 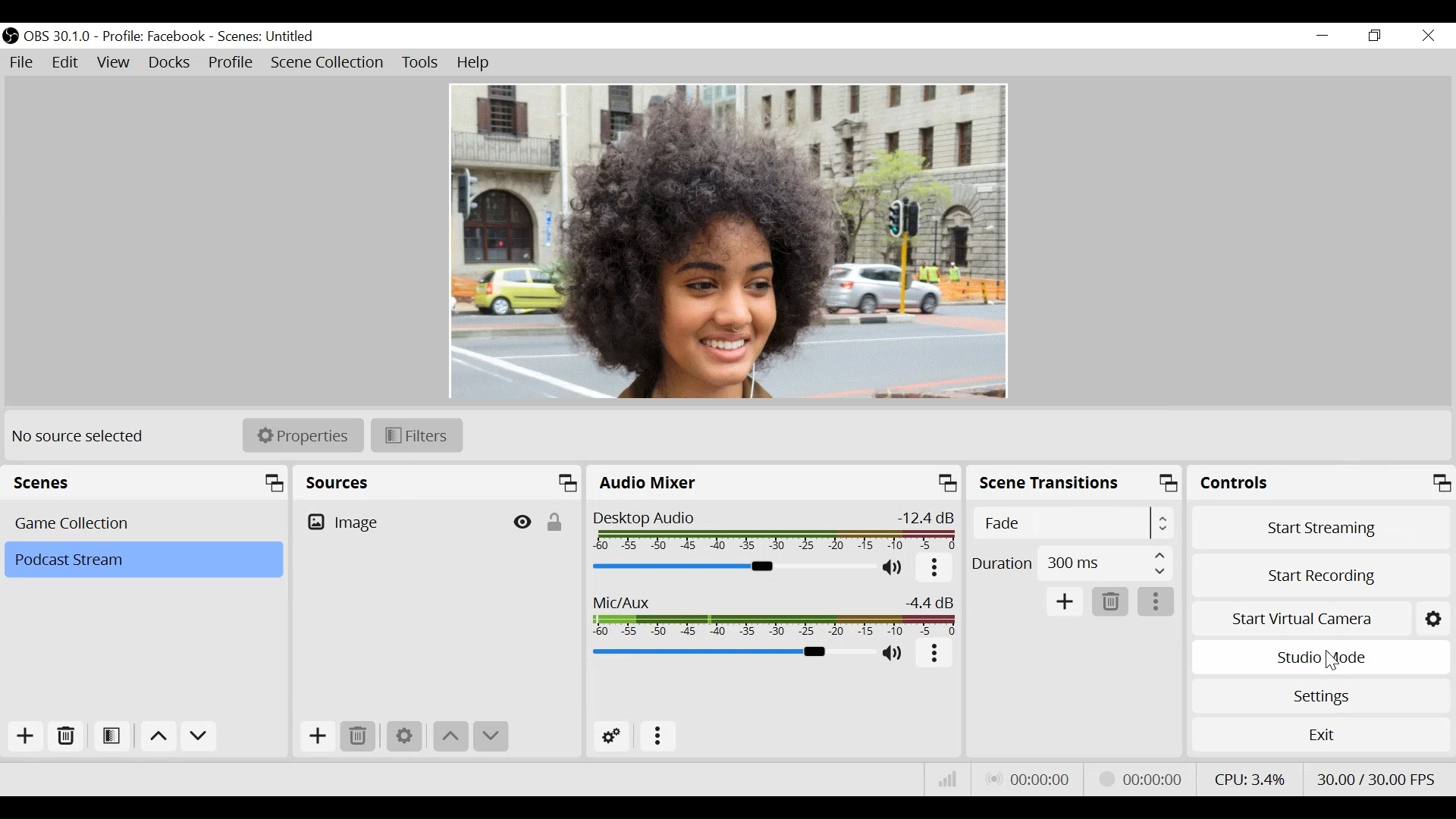 What do you see at coordinates (730, 654) in the screenshot?
I see `Mic Slider` at bounding box center [730, 654].